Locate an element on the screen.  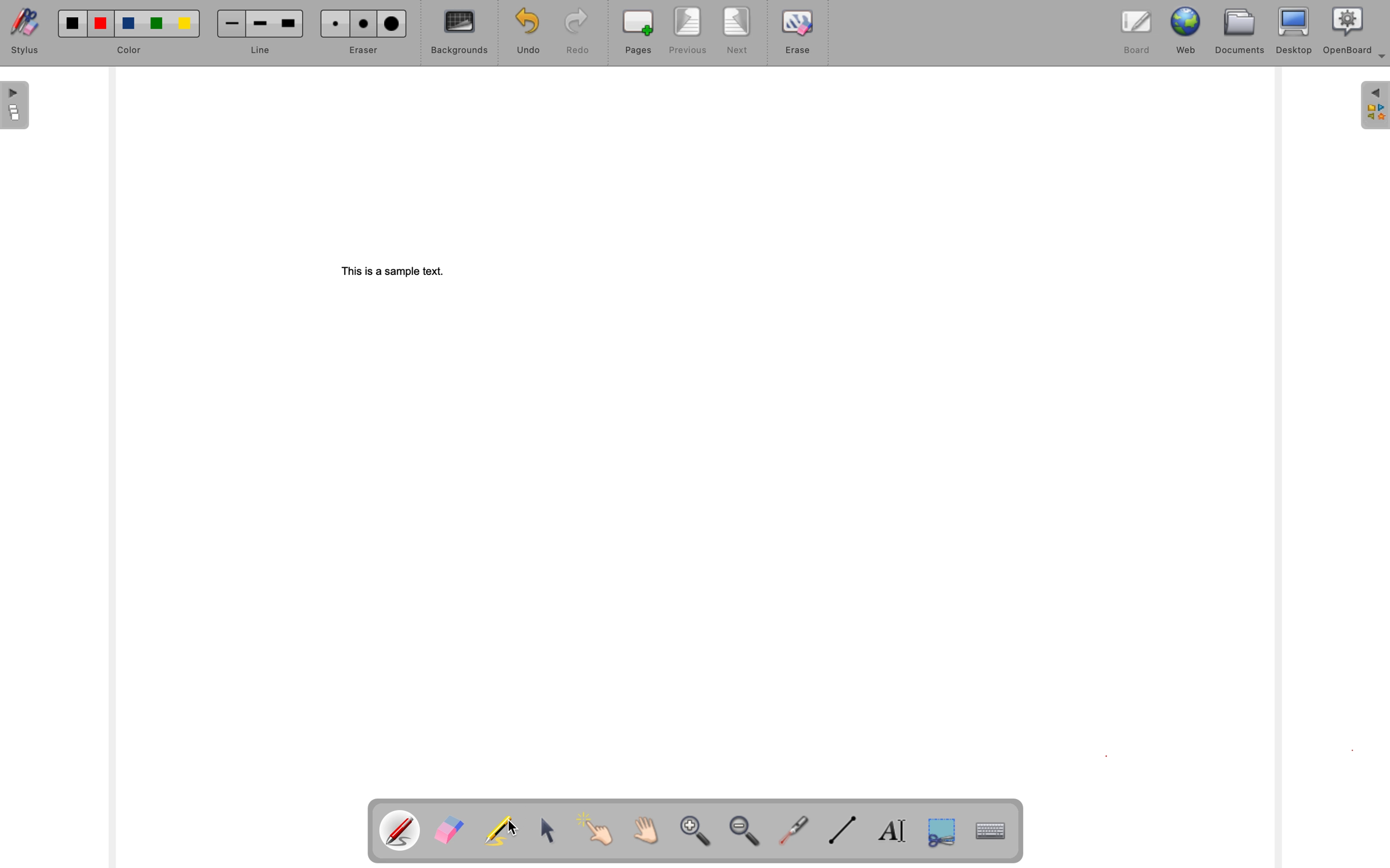
undo is located at coordinates (524, 32).